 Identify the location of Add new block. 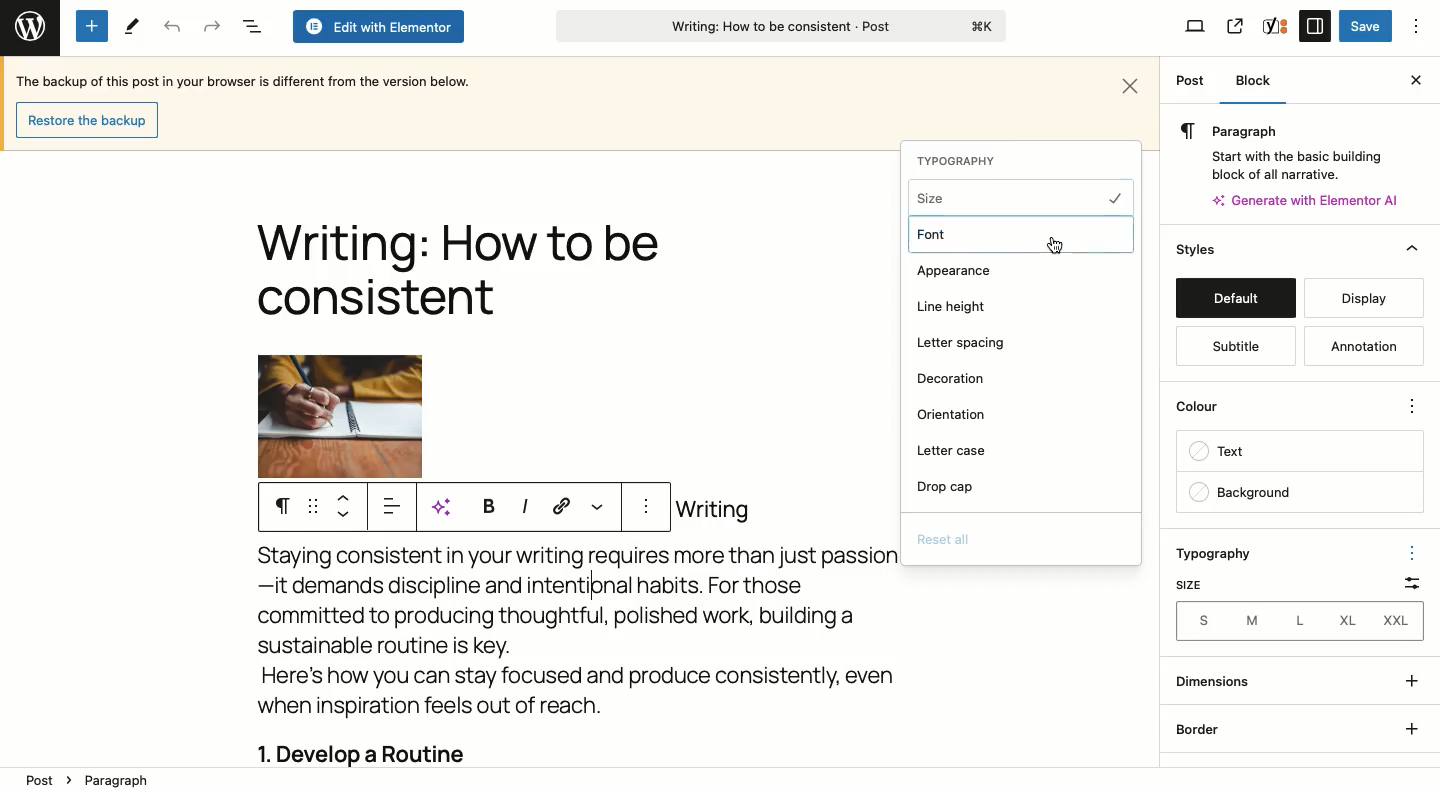
(92, 26).